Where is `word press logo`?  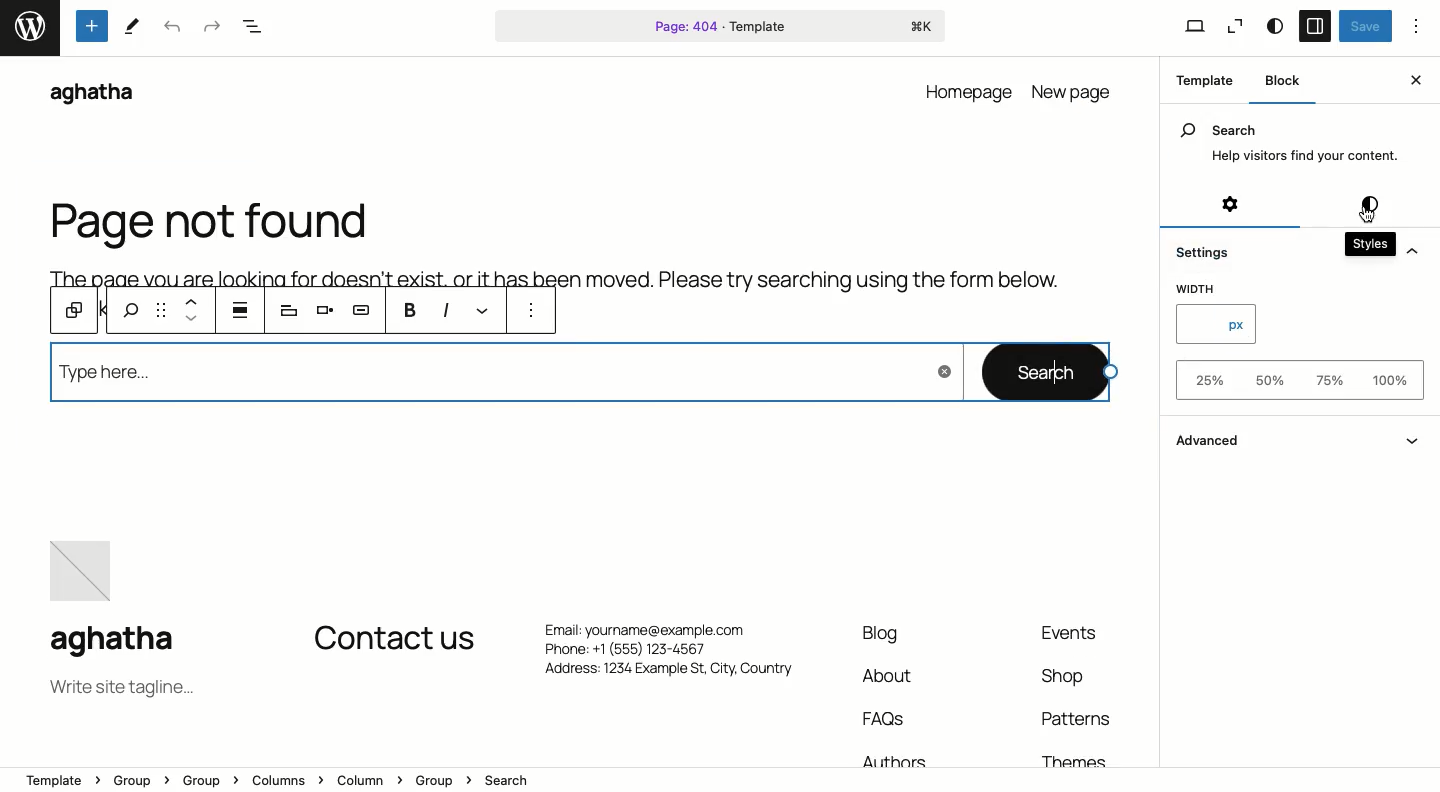
word press logo is located at coordinates (29, 28).